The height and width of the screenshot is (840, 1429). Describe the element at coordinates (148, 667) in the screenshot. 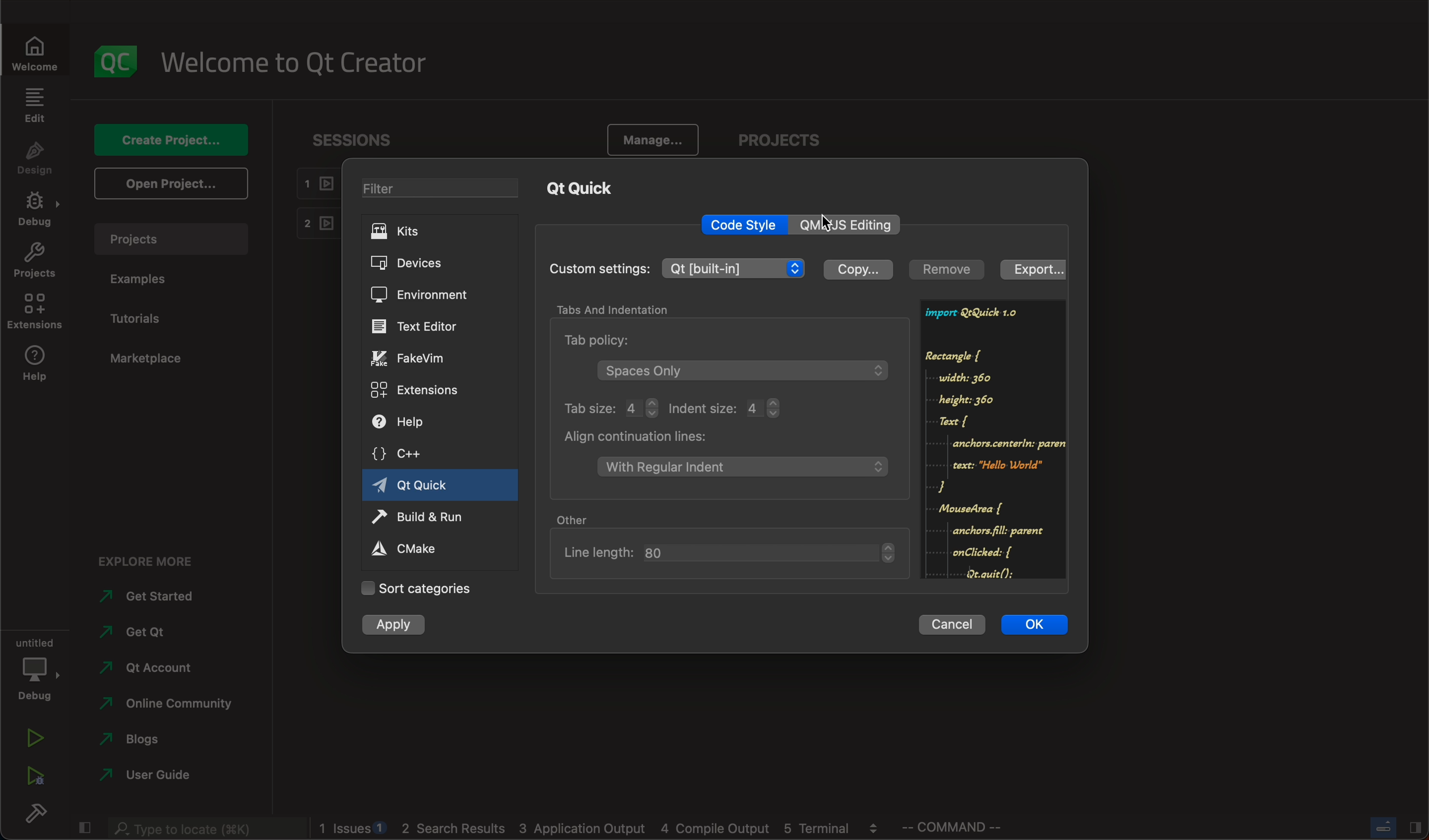

I see `account` at that location.